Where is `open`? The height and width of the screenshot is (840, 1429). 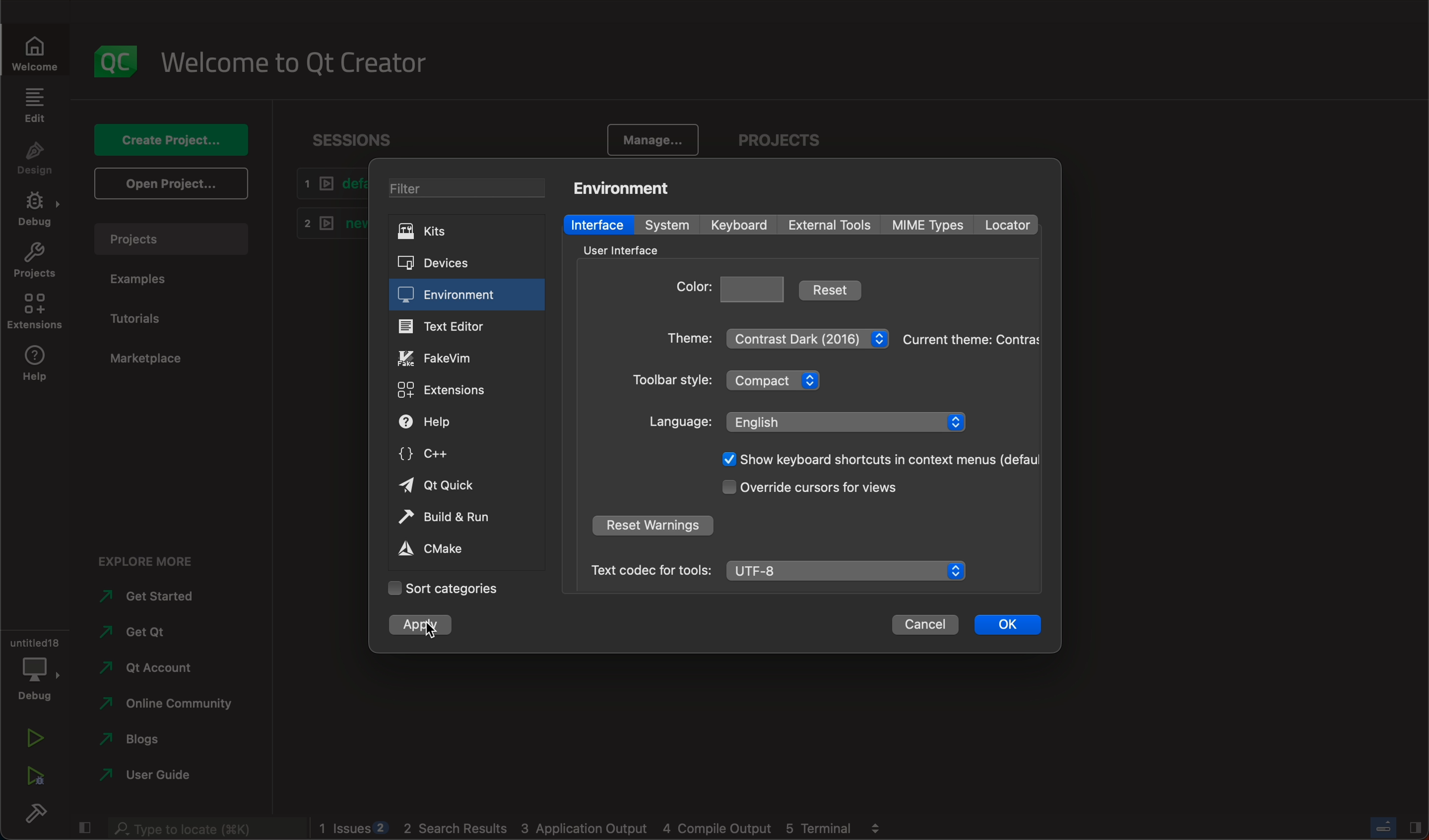
open is located at coordinates (172, 184).